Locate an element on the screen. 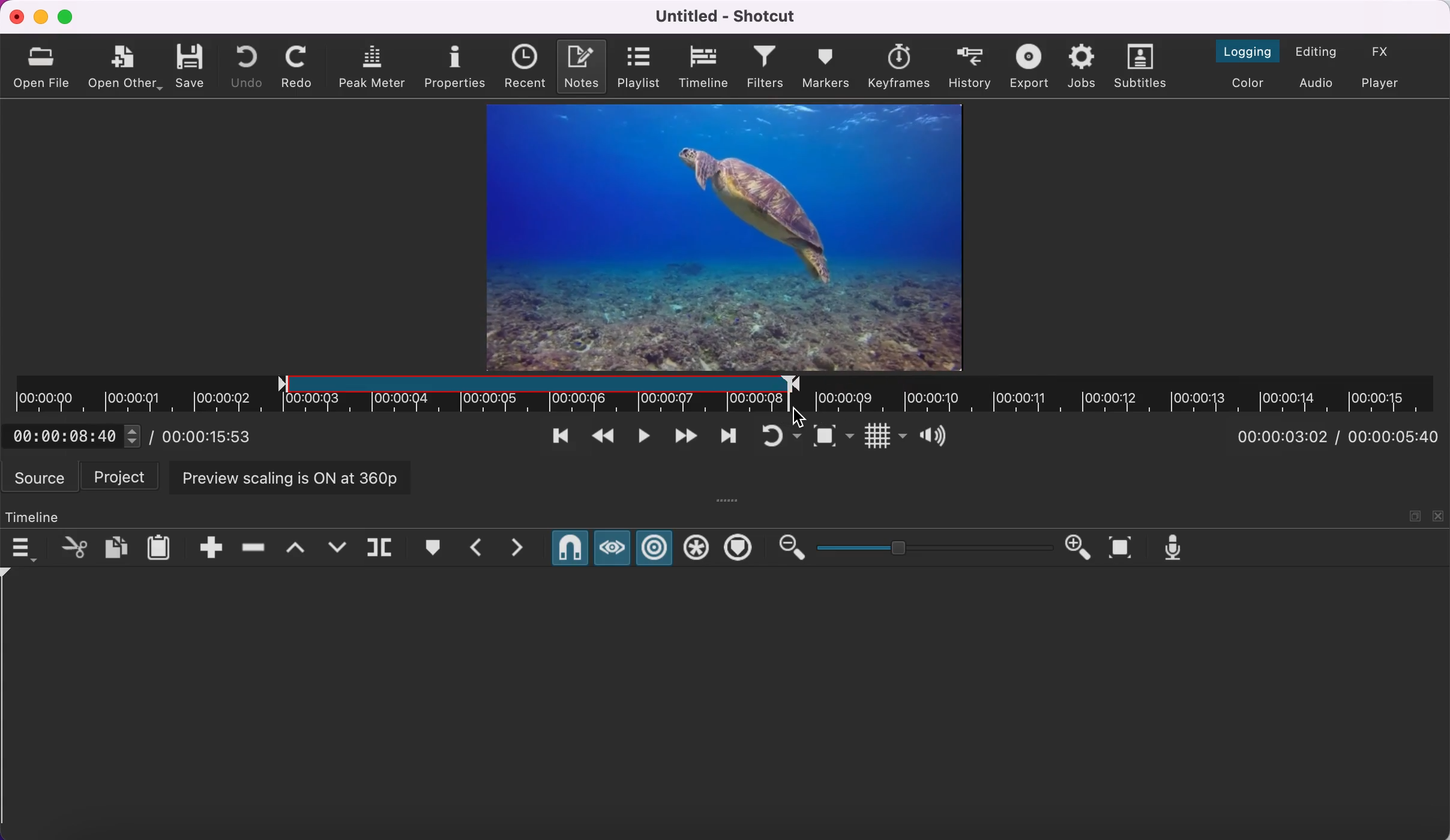 Image resolution: width=1450 pixels, height=840 pixels. open file is located at coordinates (44, 64).